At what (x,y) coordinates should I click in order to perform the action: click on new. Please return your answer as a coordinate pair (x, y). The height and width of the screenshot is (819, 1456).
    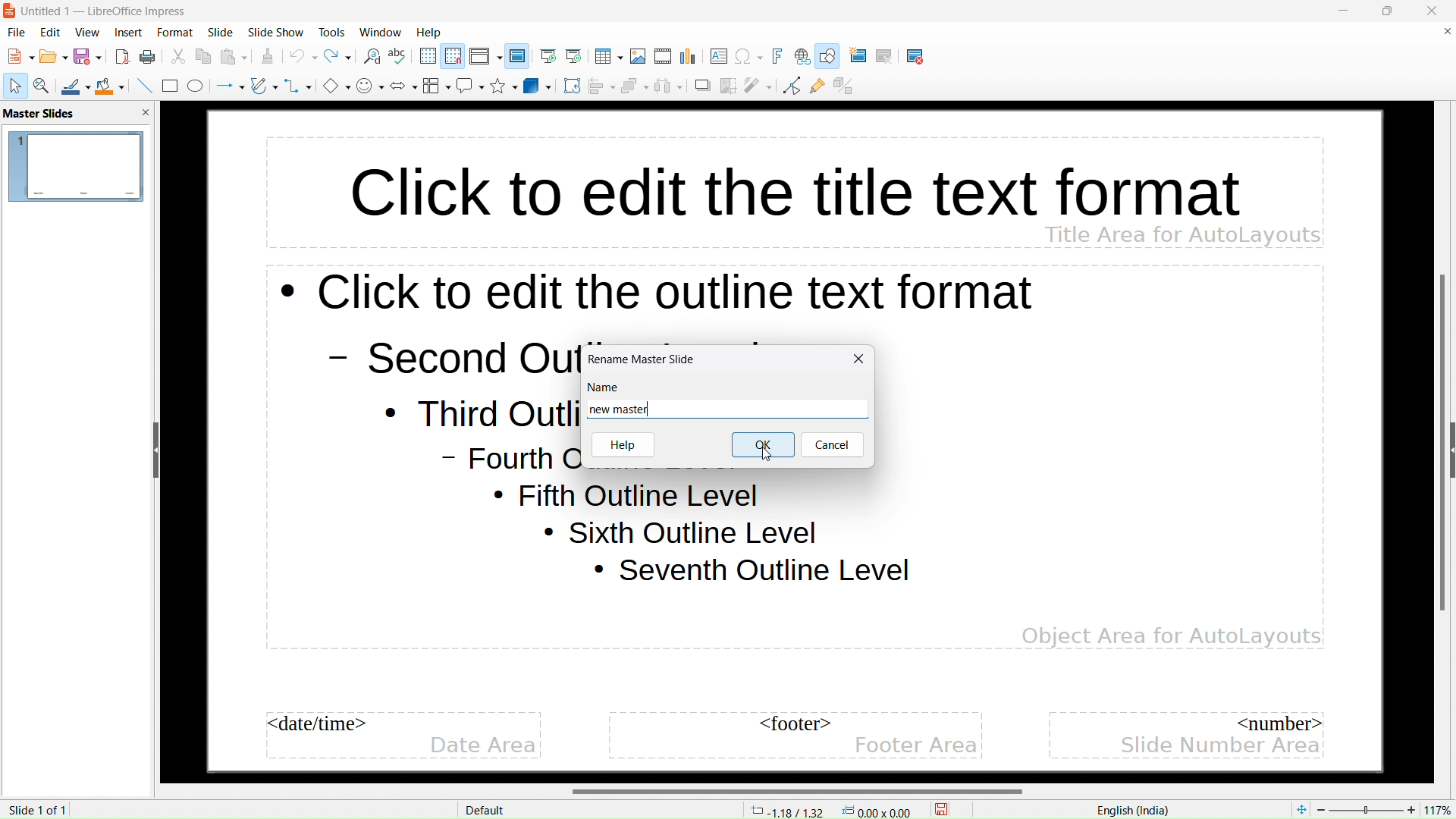
    Looking at the image, I should click on (21, 56).